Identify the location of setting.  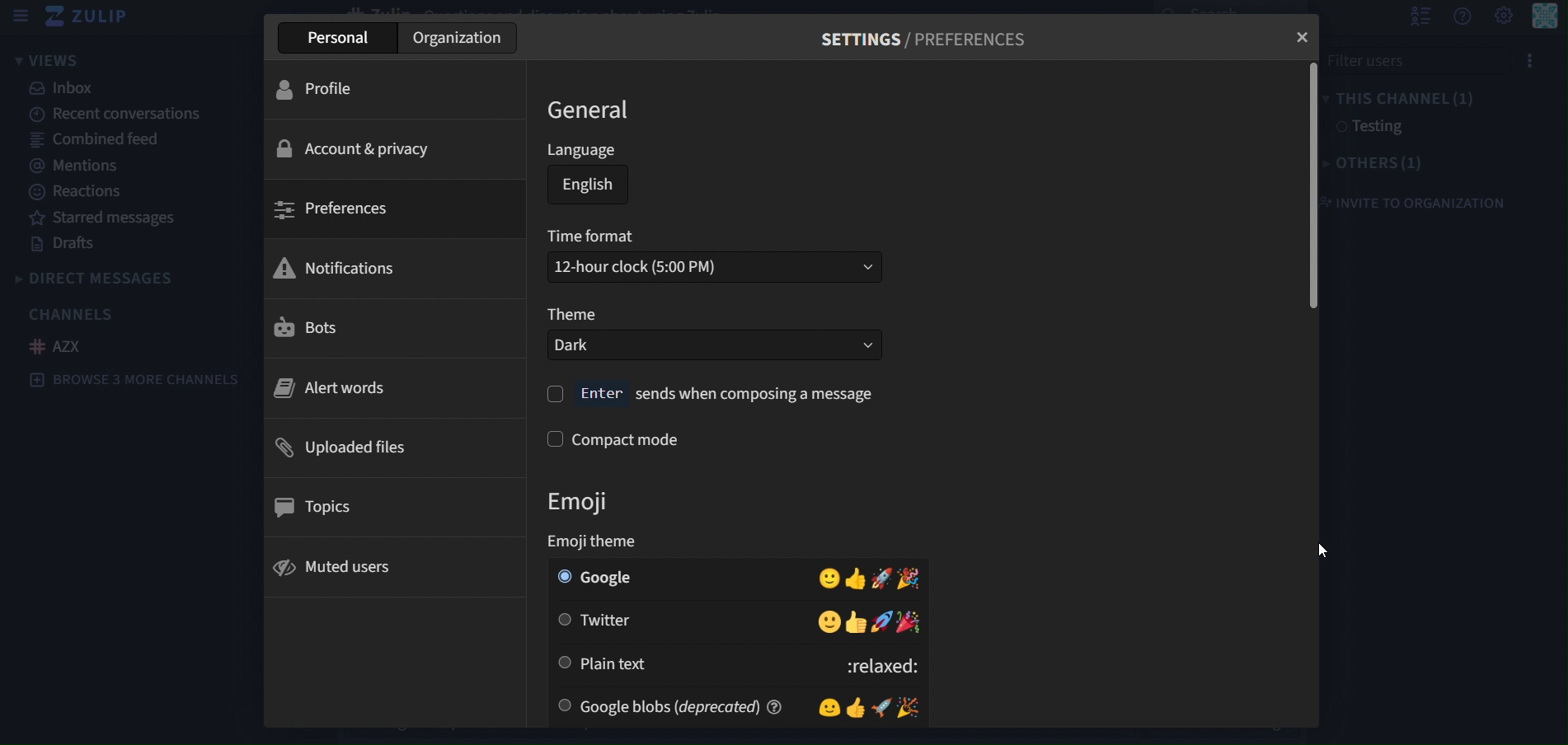
(1503, 16).